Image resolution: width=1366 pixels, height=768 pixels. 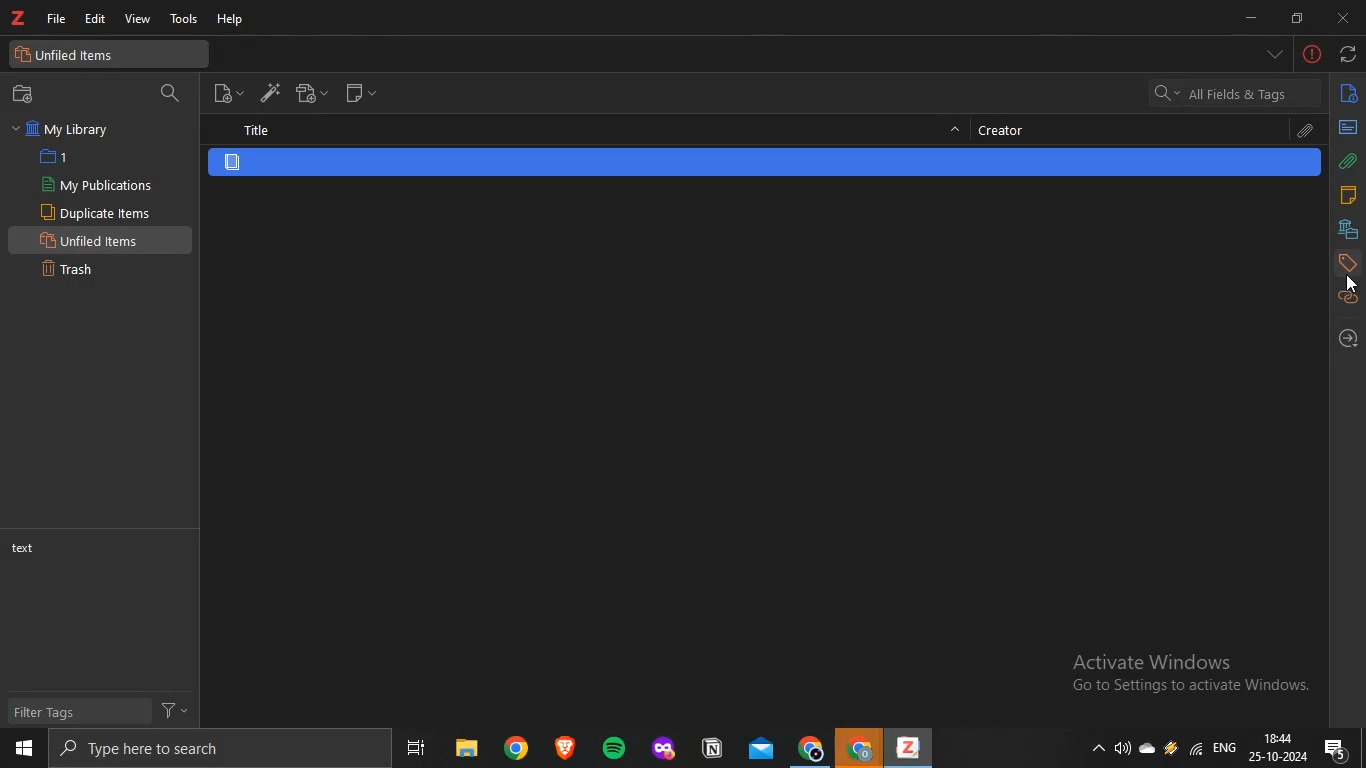 What do you see at coordinates (230, 92) in the screenshot?
I see `new item` at bounding box center [230, 92].